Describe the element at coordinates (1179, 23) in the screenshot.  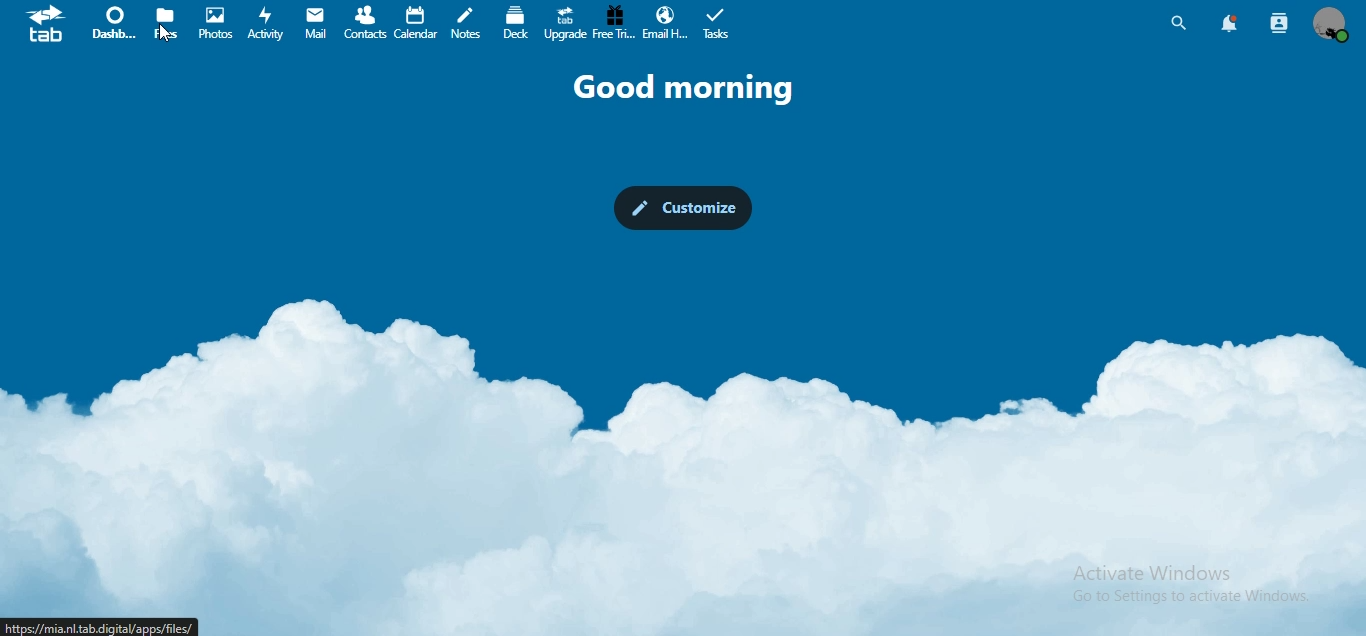
I see `search` at that location.